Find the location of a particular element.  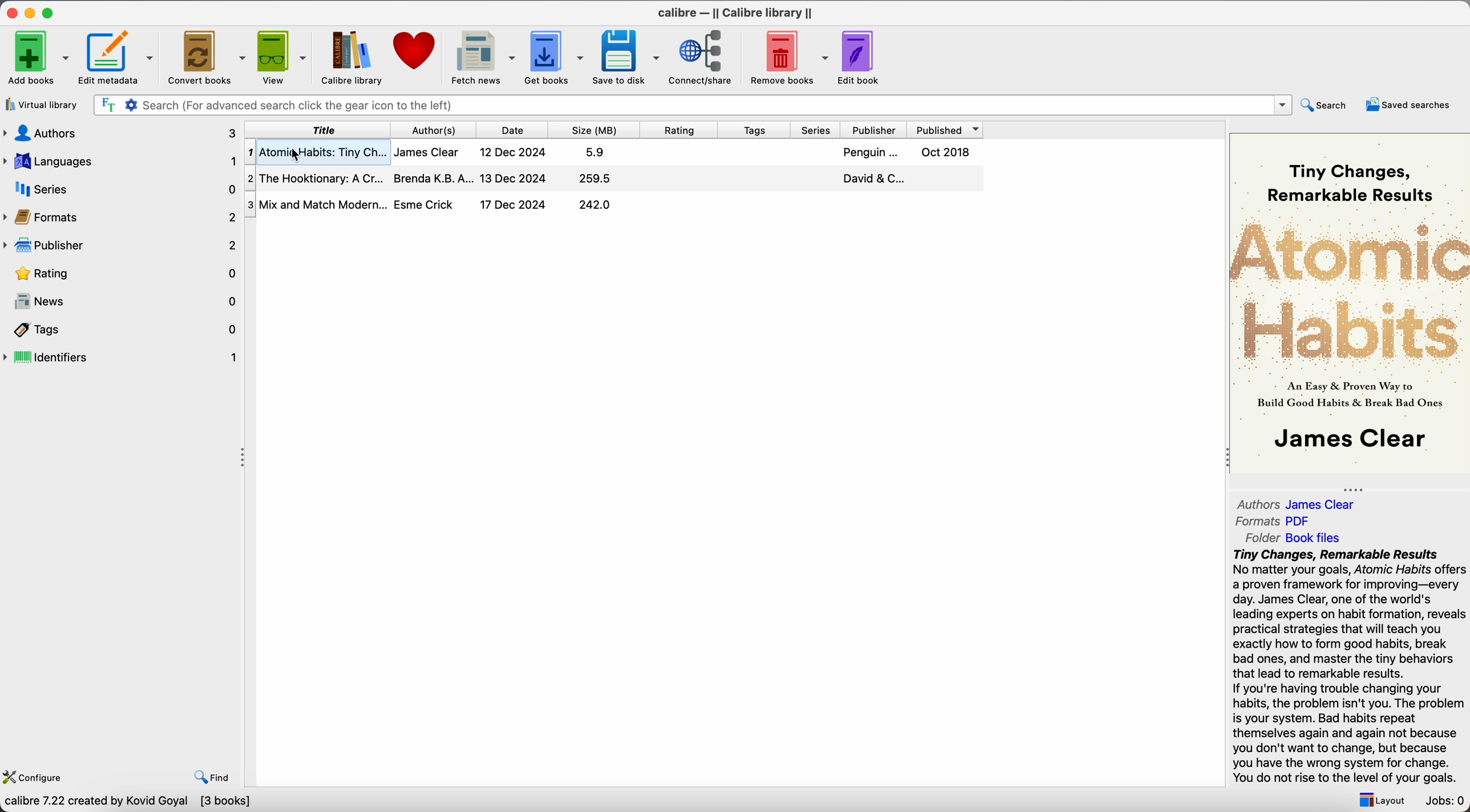

259.5 is located at coordinates (597, 179).